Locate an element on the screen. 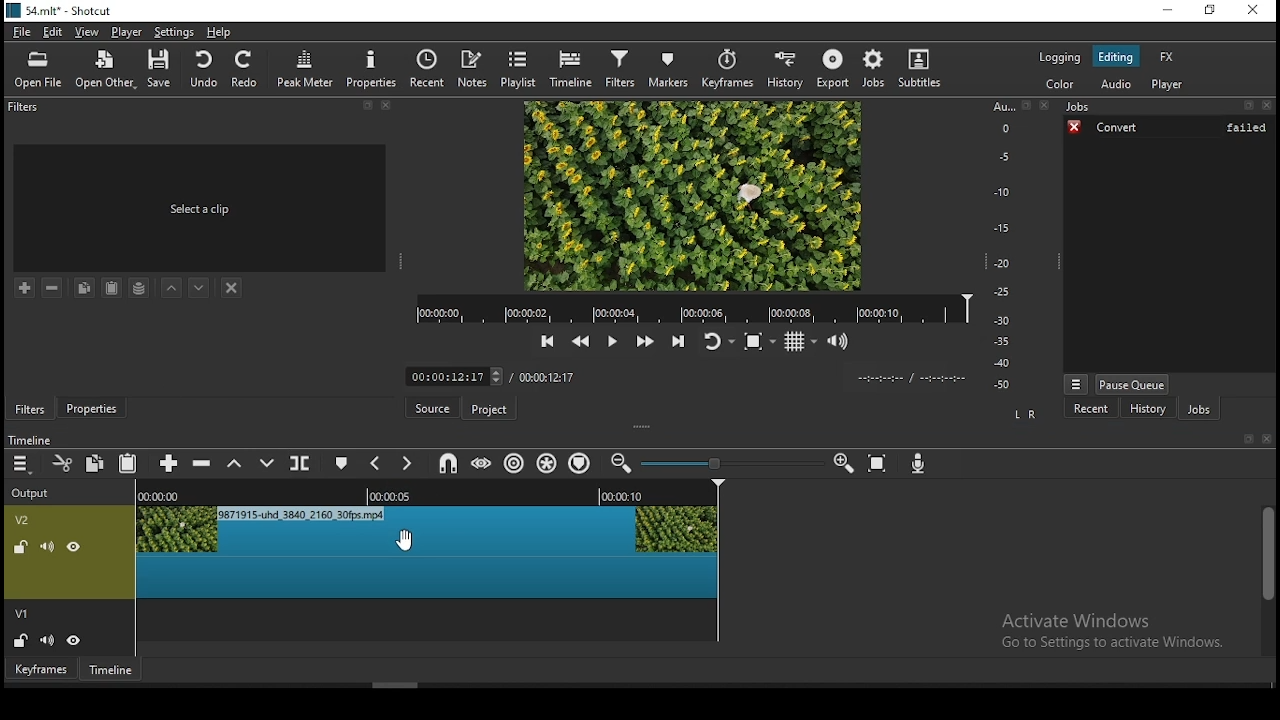 The image size is (1280, 720). file is located at coordinates (24, 33).